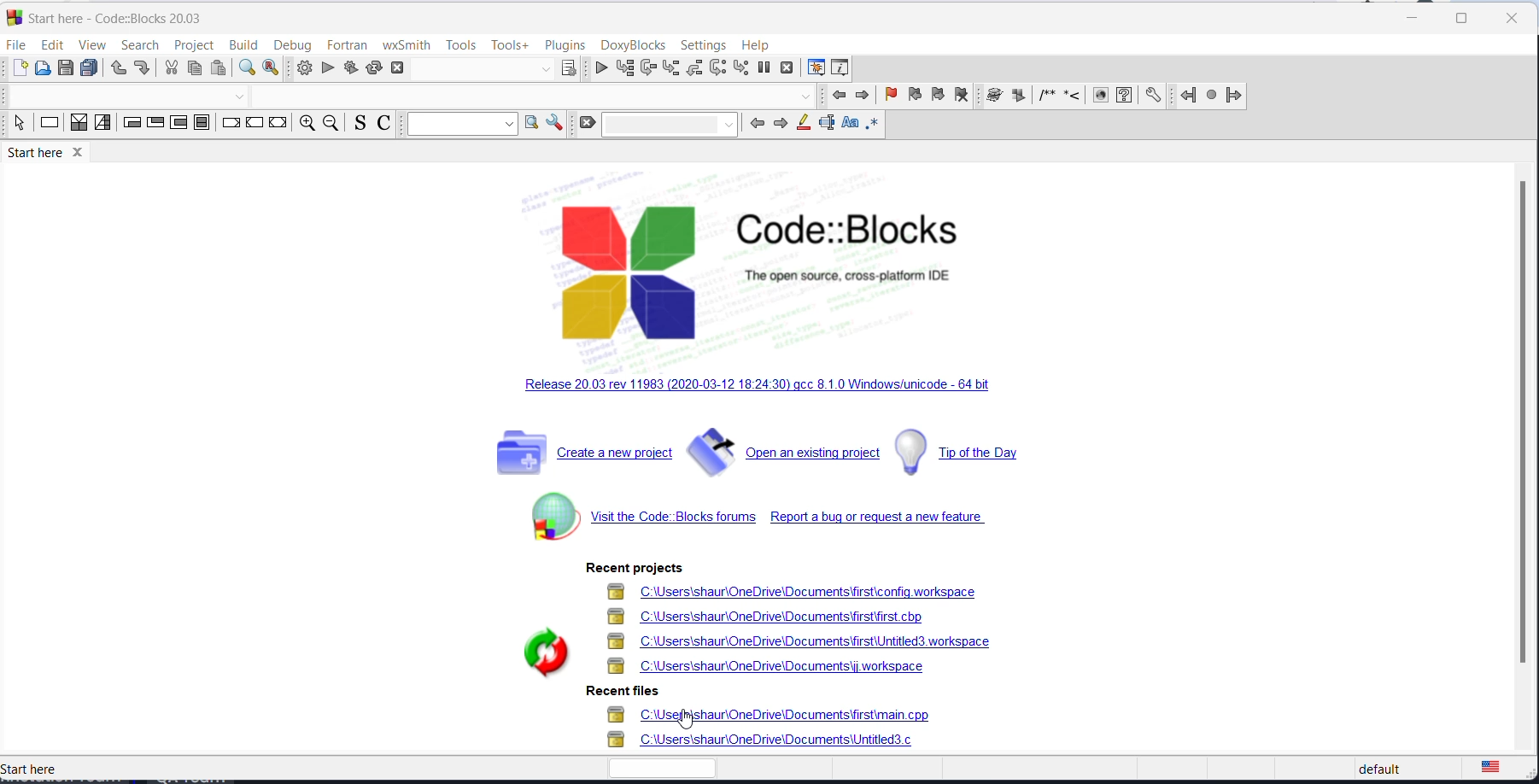 This screenshot has height=784, width=1539. What do you see at coordinates (193, 45) in the screenshot?
I see `project` at bounding box center [193, 45].